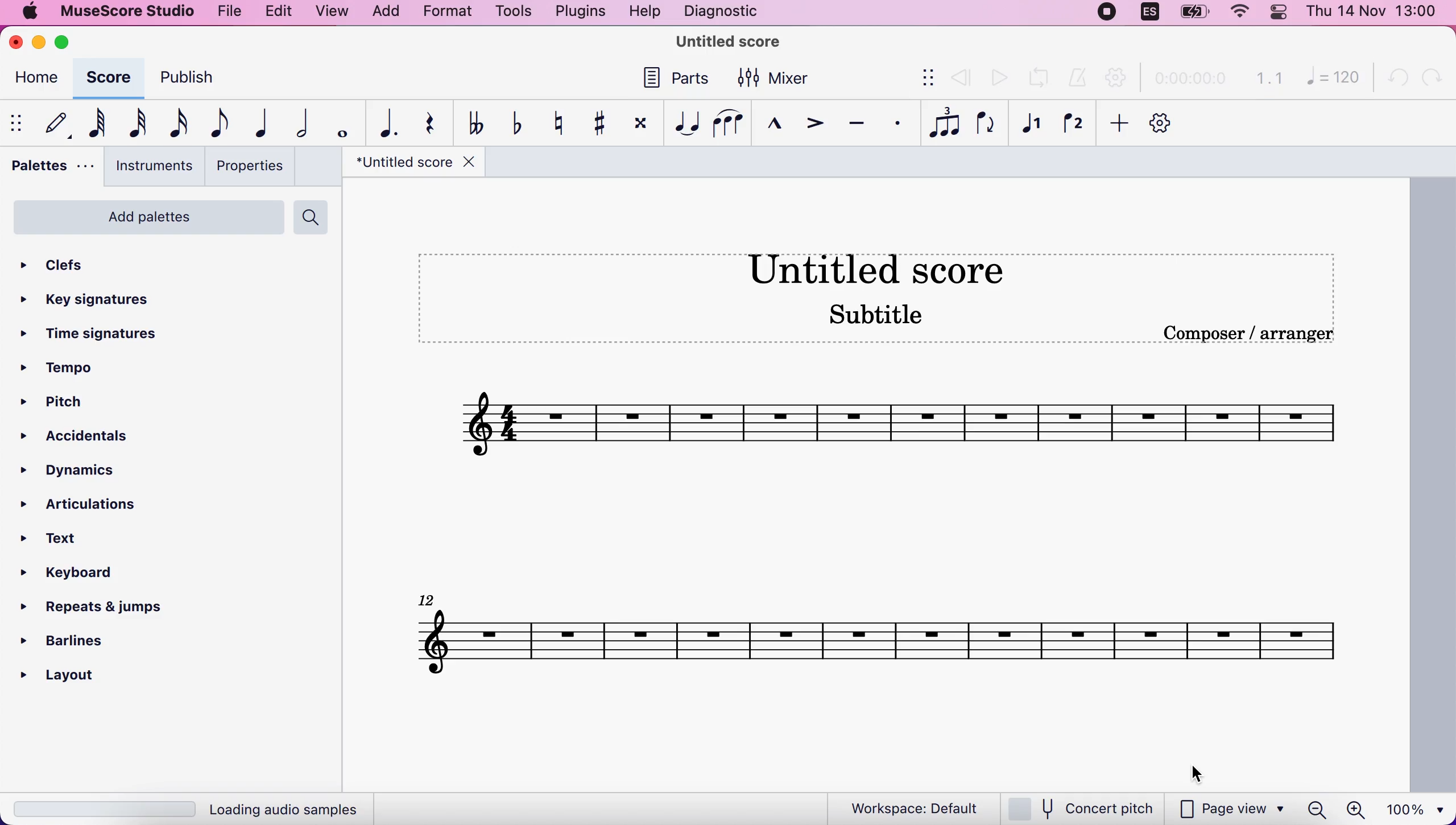 The image size is (1456, 825). I want to click on keyboard, so click(76, 574).